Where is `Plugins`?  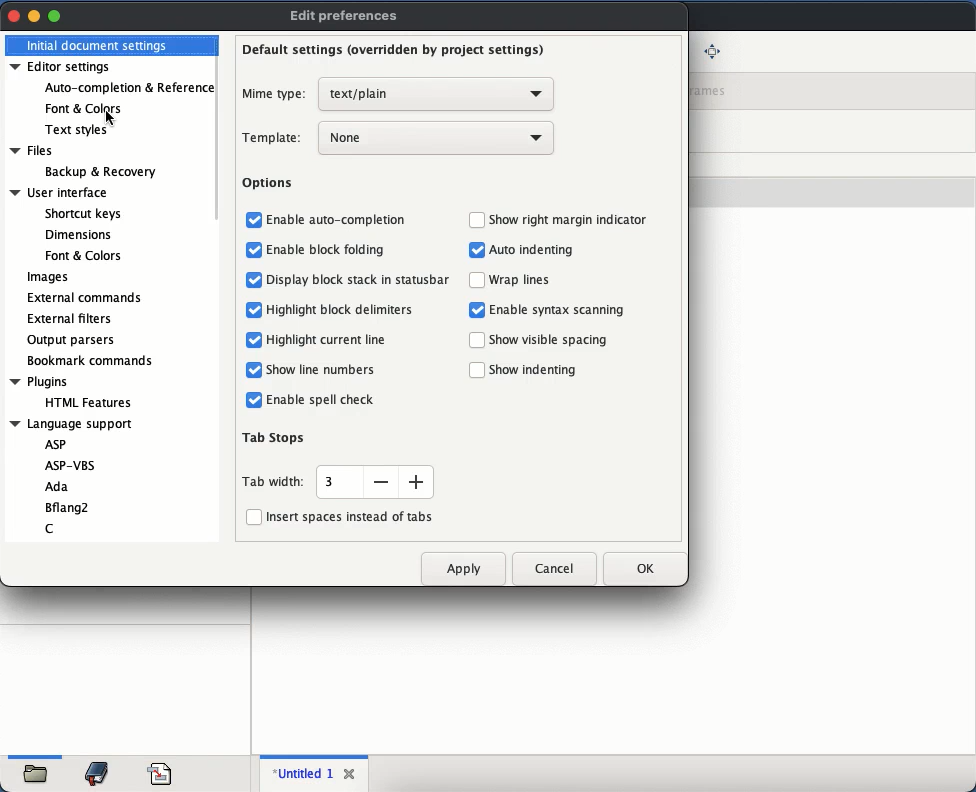
Plugins is located at coordinates (39, 380).